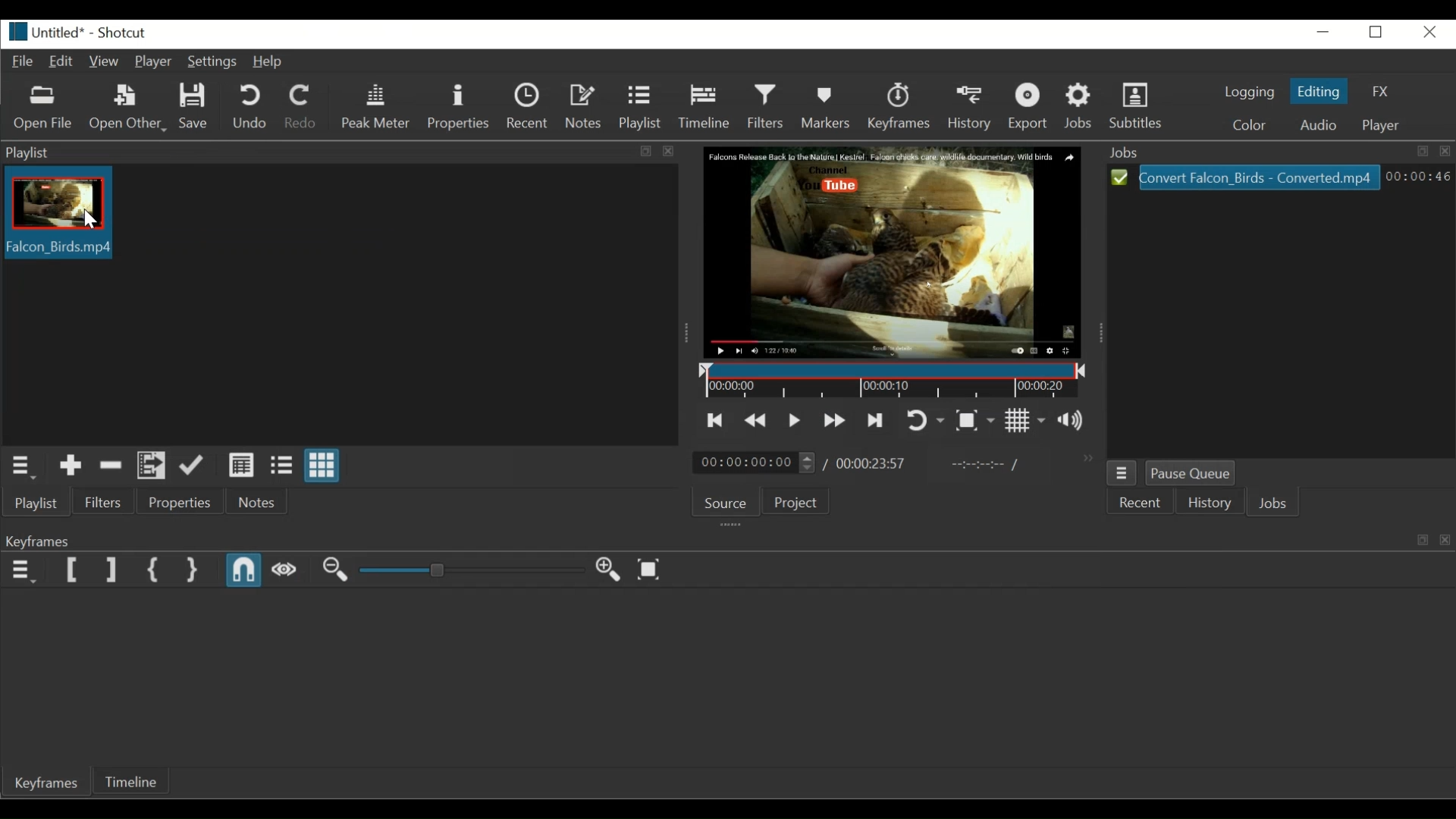  I want to click on In point, so click(982, 466).